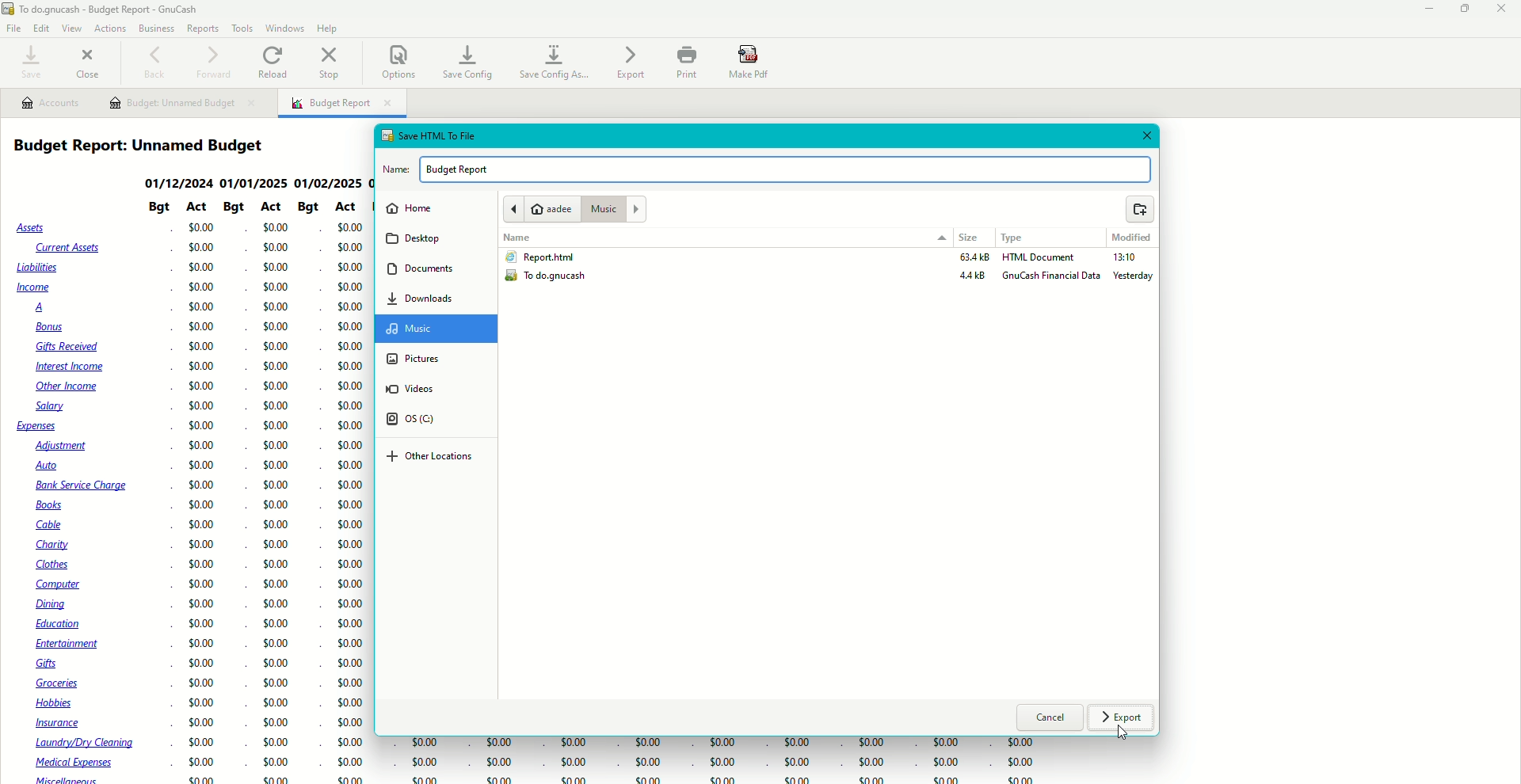 The image size is (1521, 784). What do you see at coordinates (422, 329) in the screenshot?
I see `Music` at bounding box center [422, 329].